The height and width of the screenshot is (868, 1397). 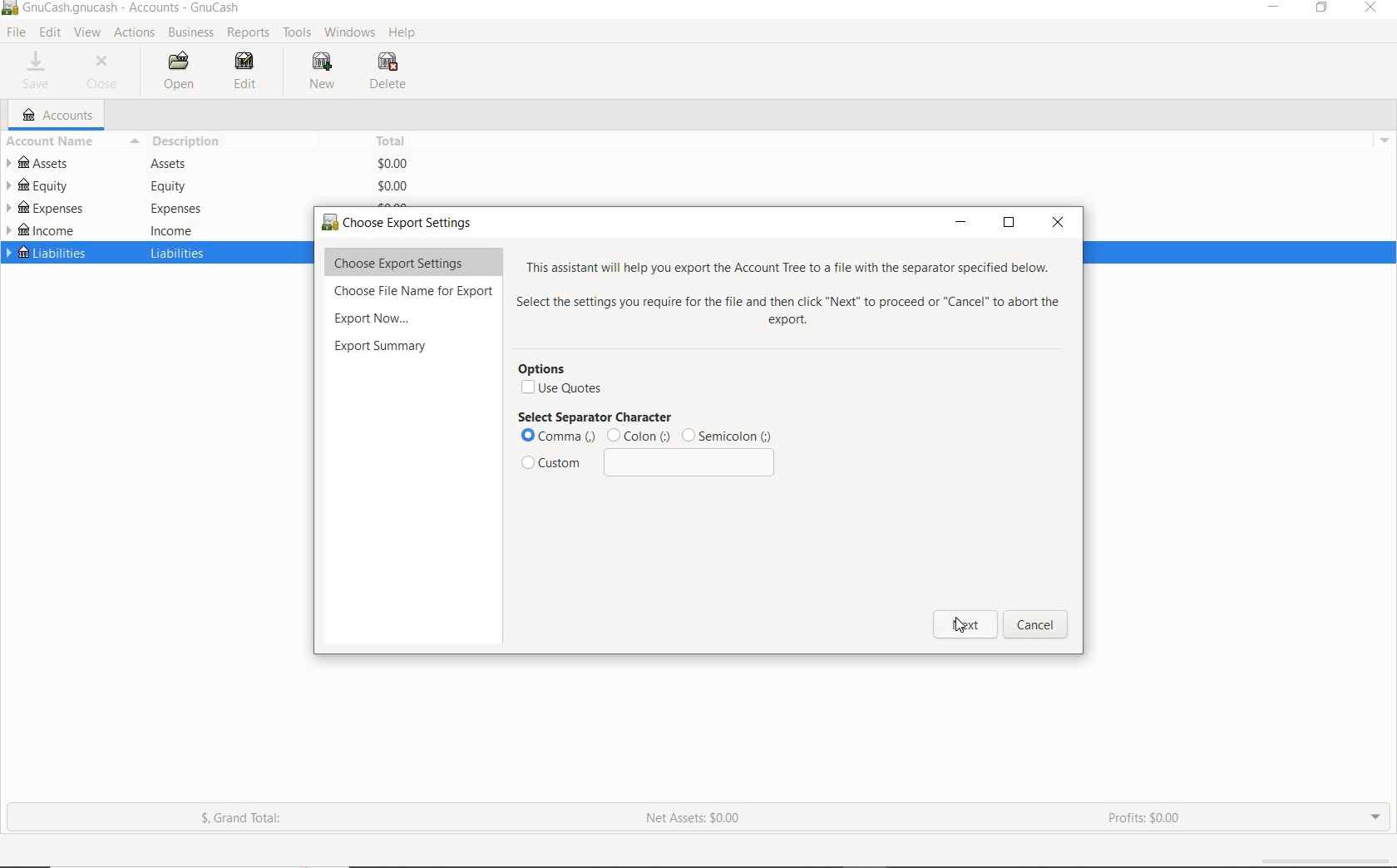 What do you see at coordinates (175, 71) in the screenshot?
I see `OPEN` at bounding box center [175, 71].